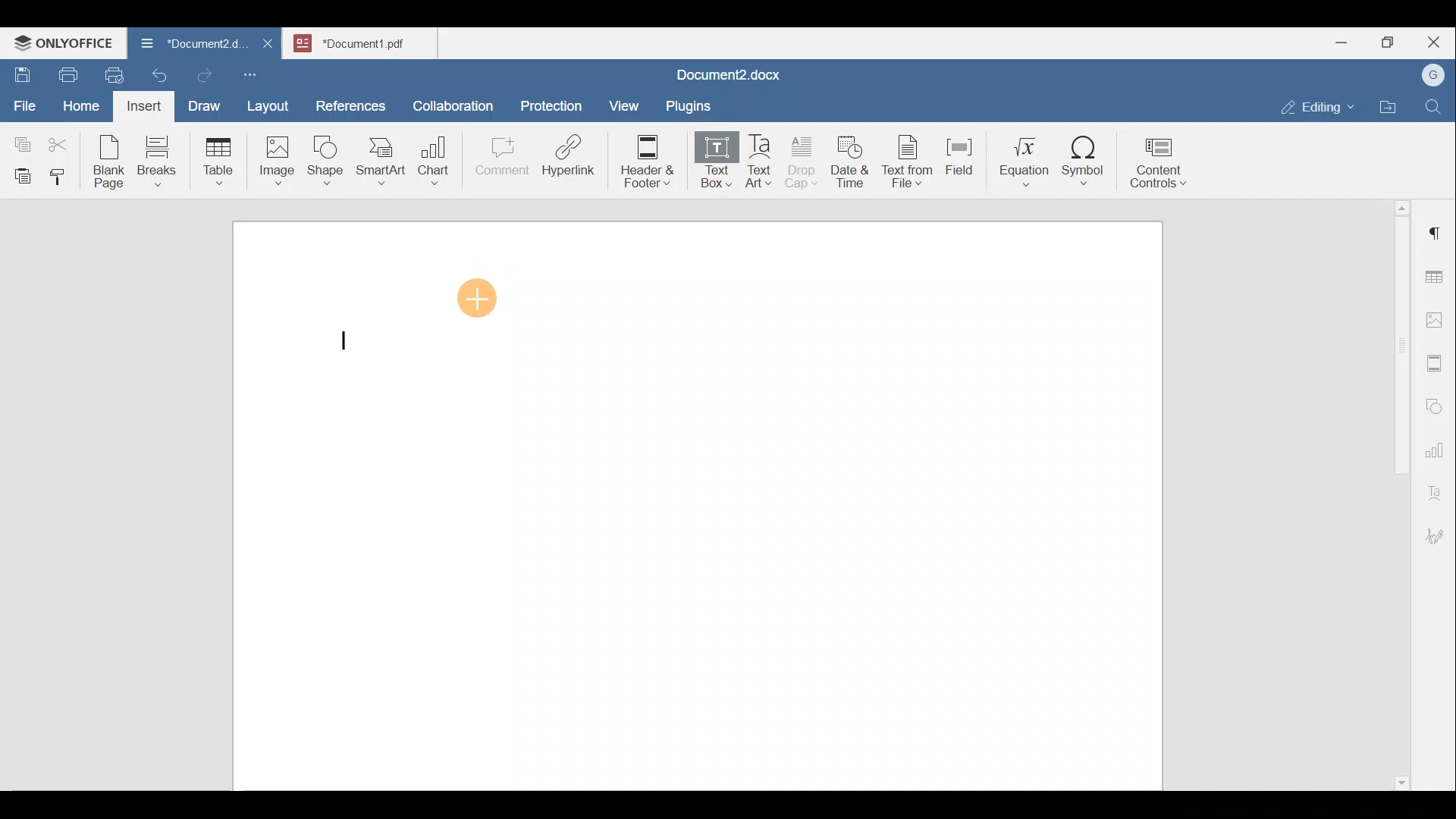  Describe the element at coordinates (910, 160) in the screenshot. I see `Text from file` at that location.